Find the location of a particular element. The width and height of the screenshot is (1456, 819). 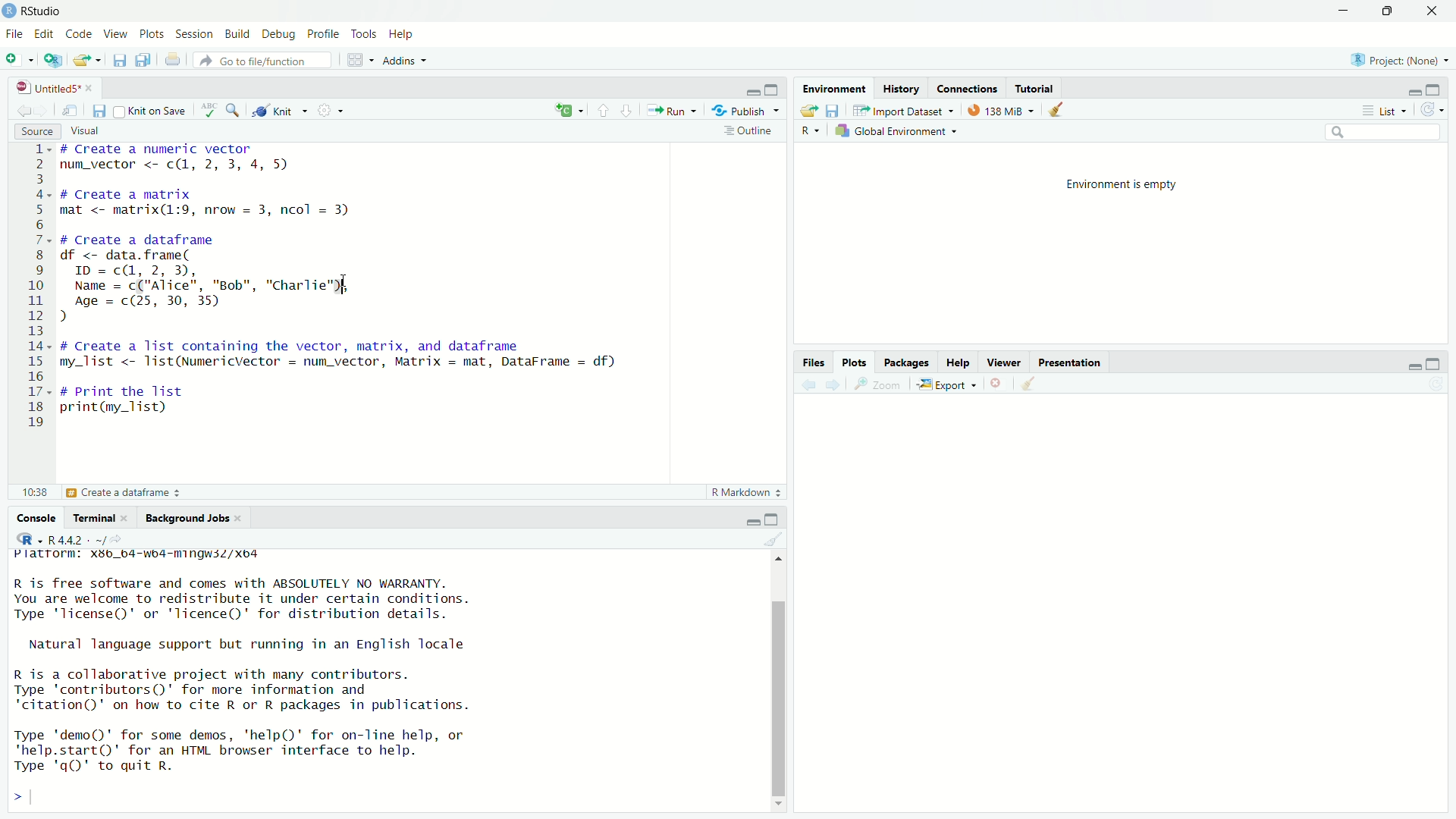

upward is located at coordinates (607, 110).